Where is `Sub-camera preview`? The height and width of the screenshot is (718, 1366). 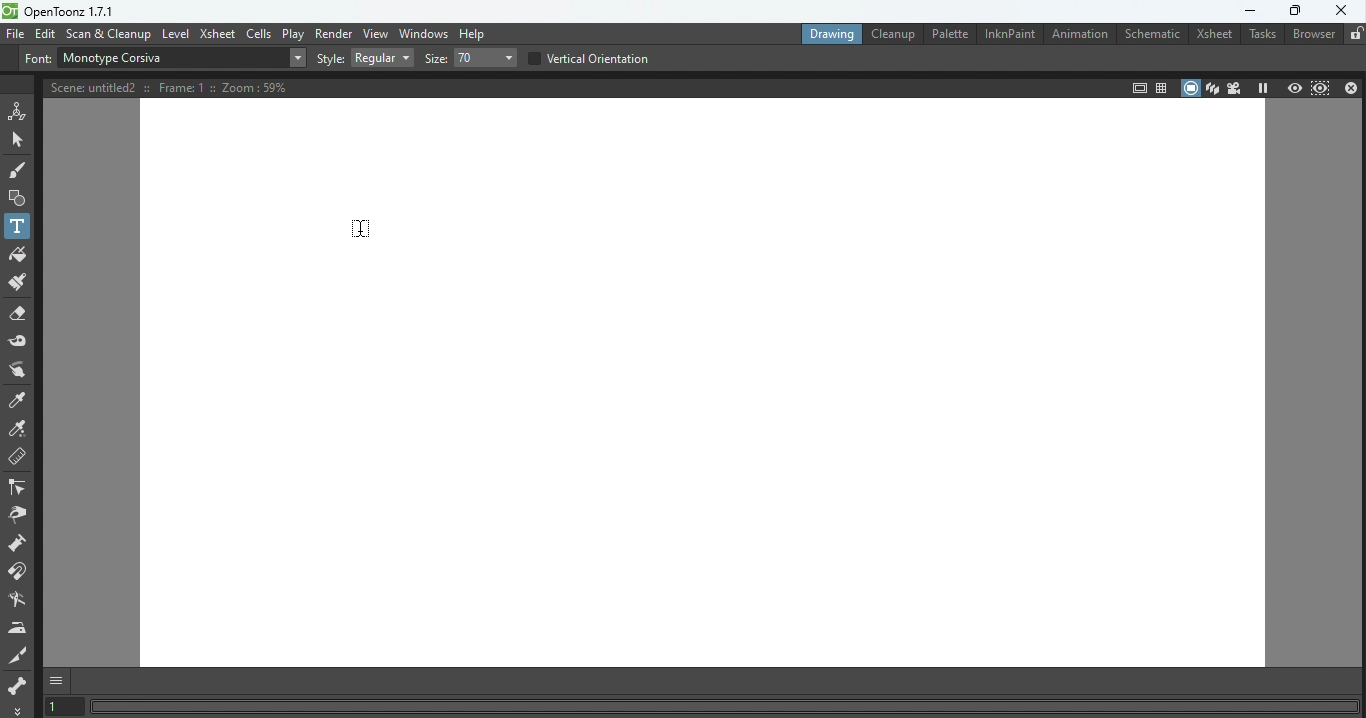 Sub-camera preview is located at coordinates (1321, 88).